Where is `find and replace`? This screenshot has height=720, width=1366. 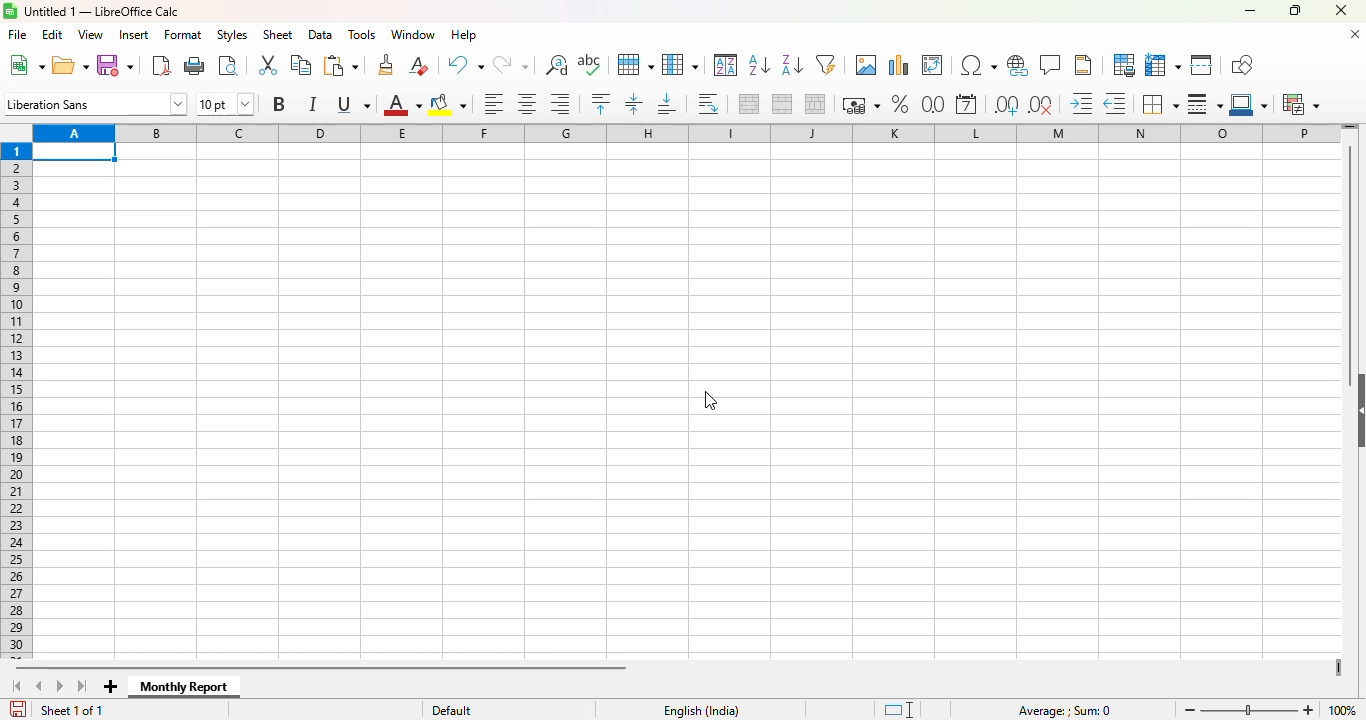 find and replace is located at coordinates (556, 65).